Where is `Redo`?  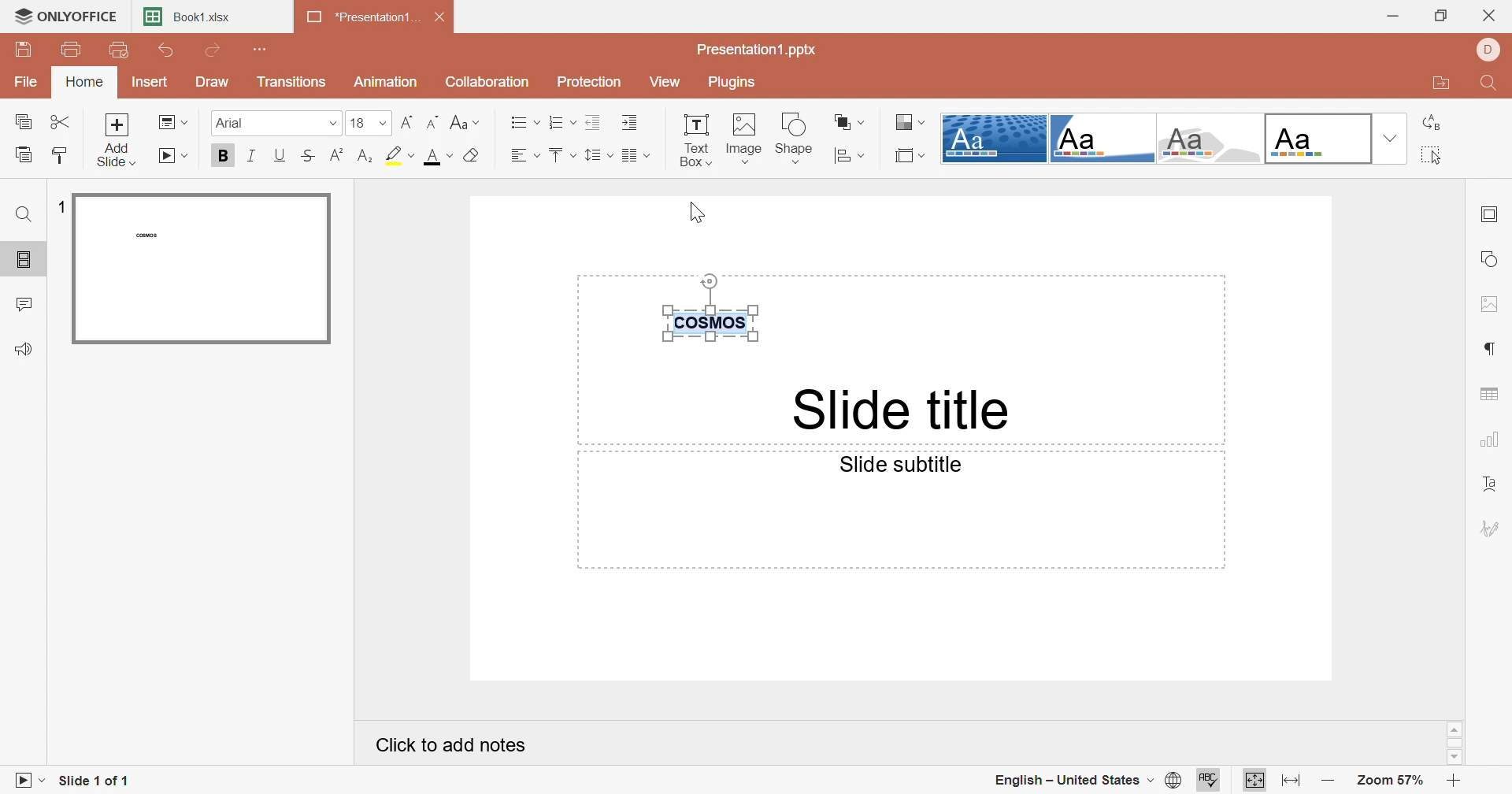
Redo is located at coordinates (209, 50).